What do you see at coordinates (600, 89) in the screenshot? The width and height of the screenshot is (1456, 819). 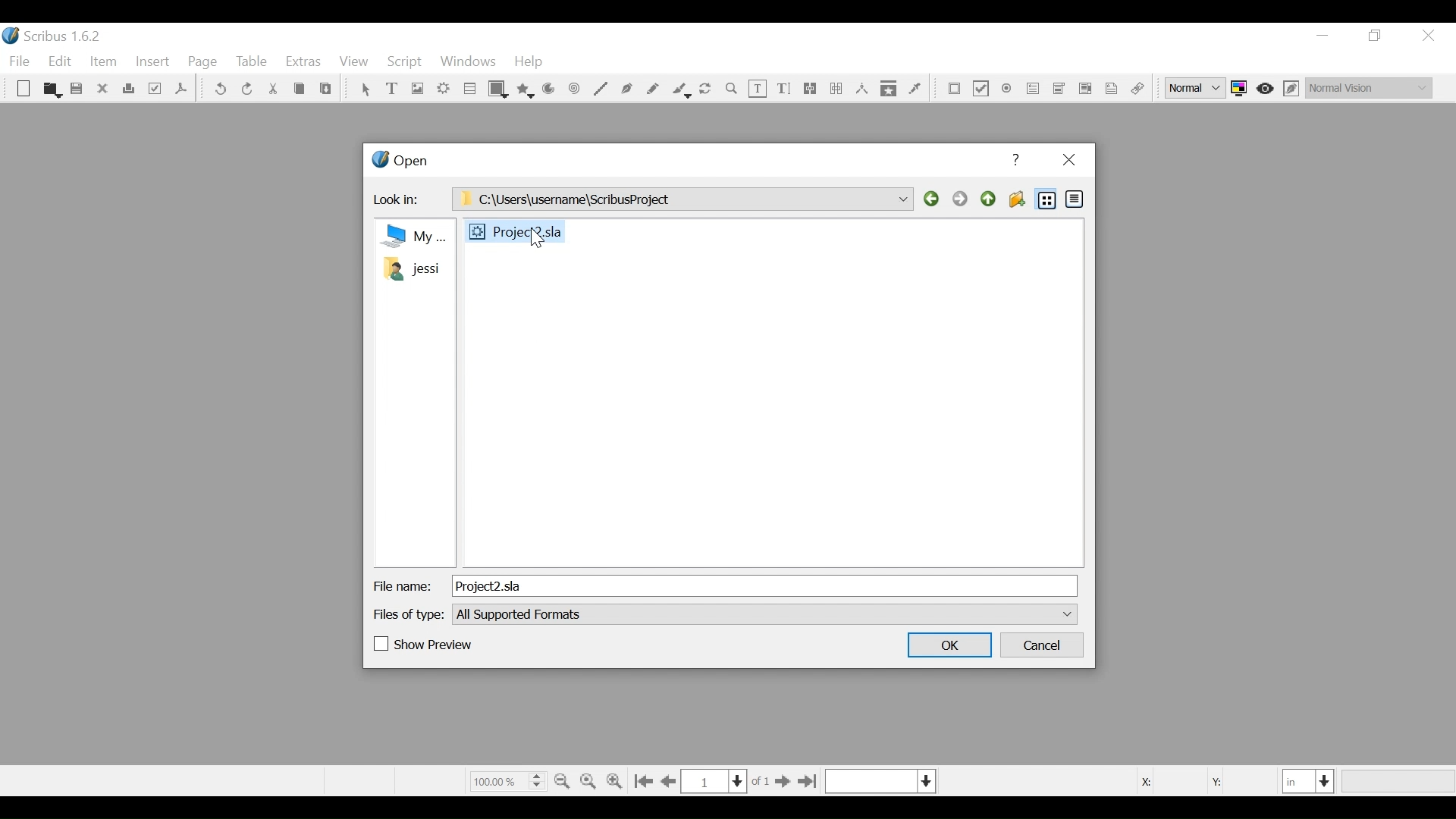 I see `Line` at bounding box center [600, 89].